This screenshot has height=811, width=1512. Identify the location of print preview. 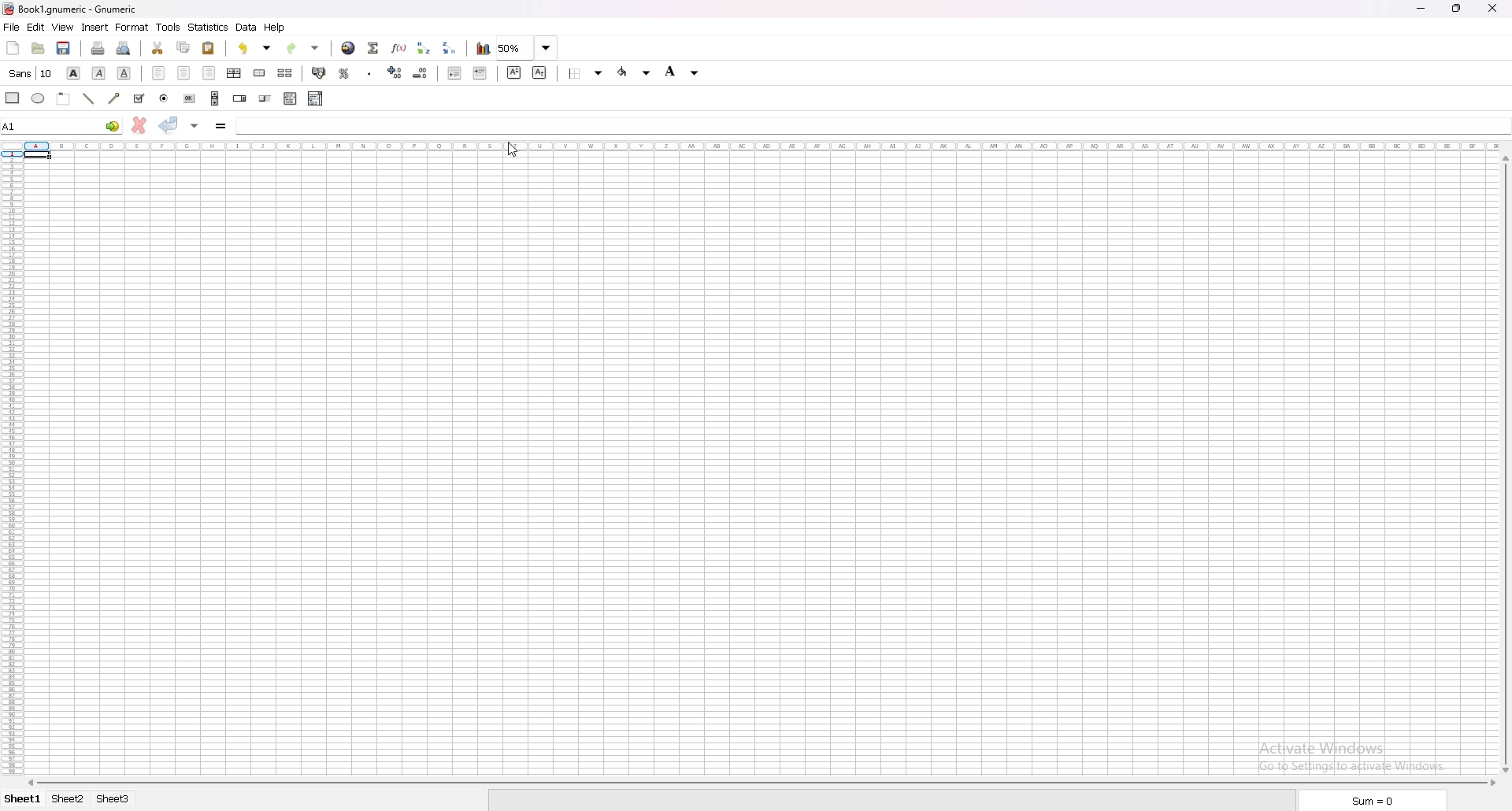
(125, 47).